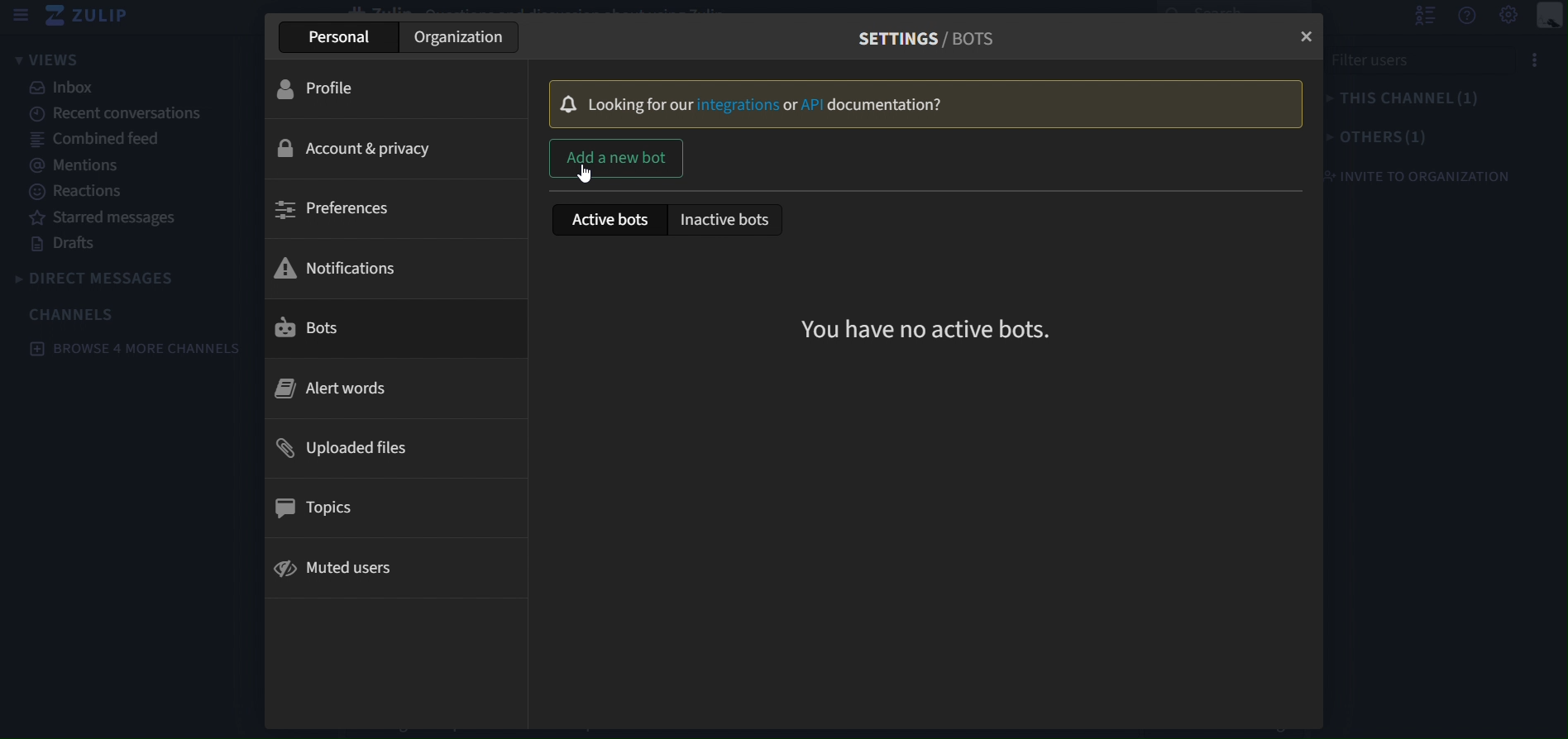 The width and height of the screenshot is (1568, 739). I want to click on muted users, so click(380, 569).